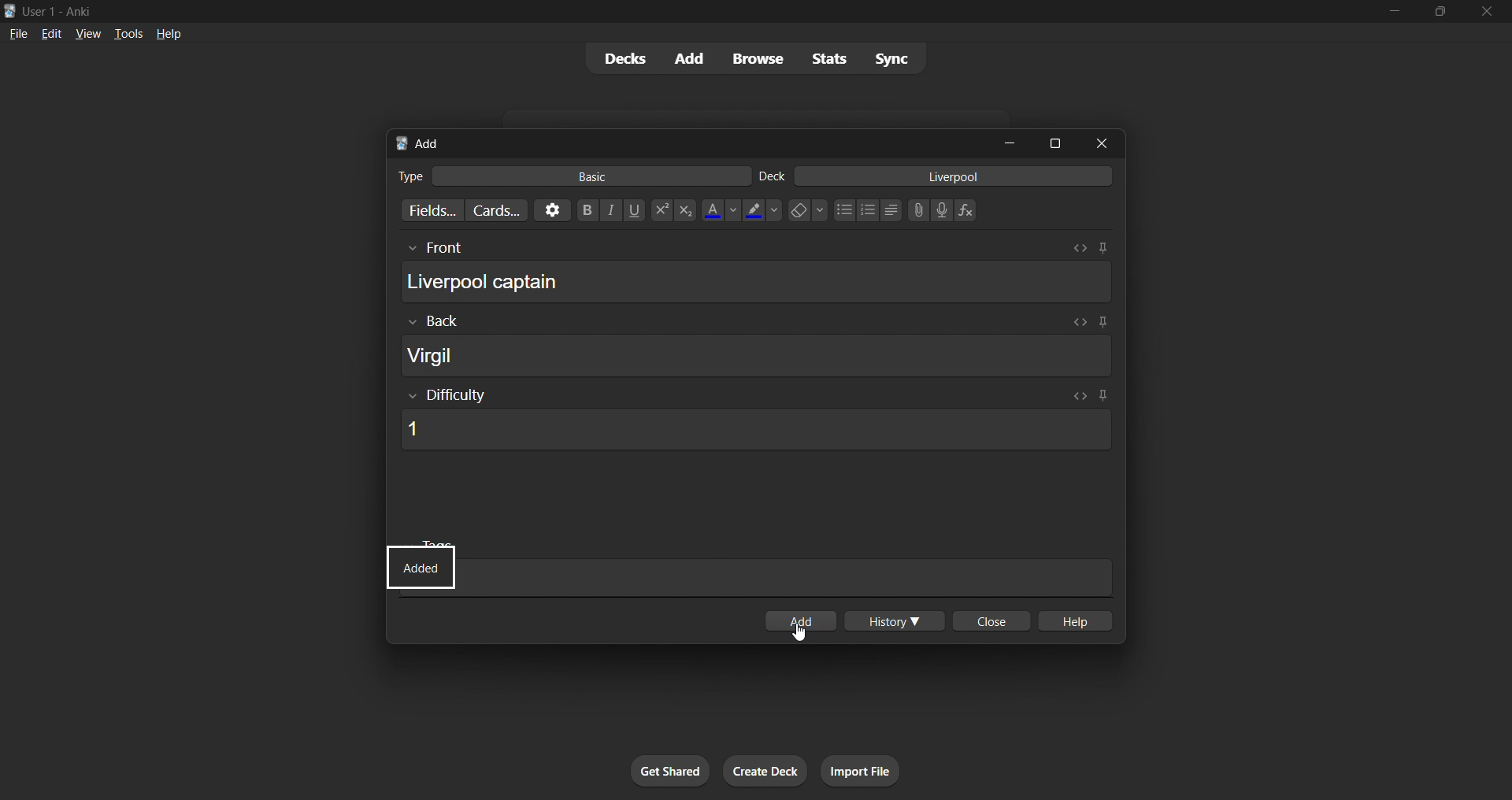  Describe the element at coordinates (127, 33) in the screenshot. I see `tools` at that location.